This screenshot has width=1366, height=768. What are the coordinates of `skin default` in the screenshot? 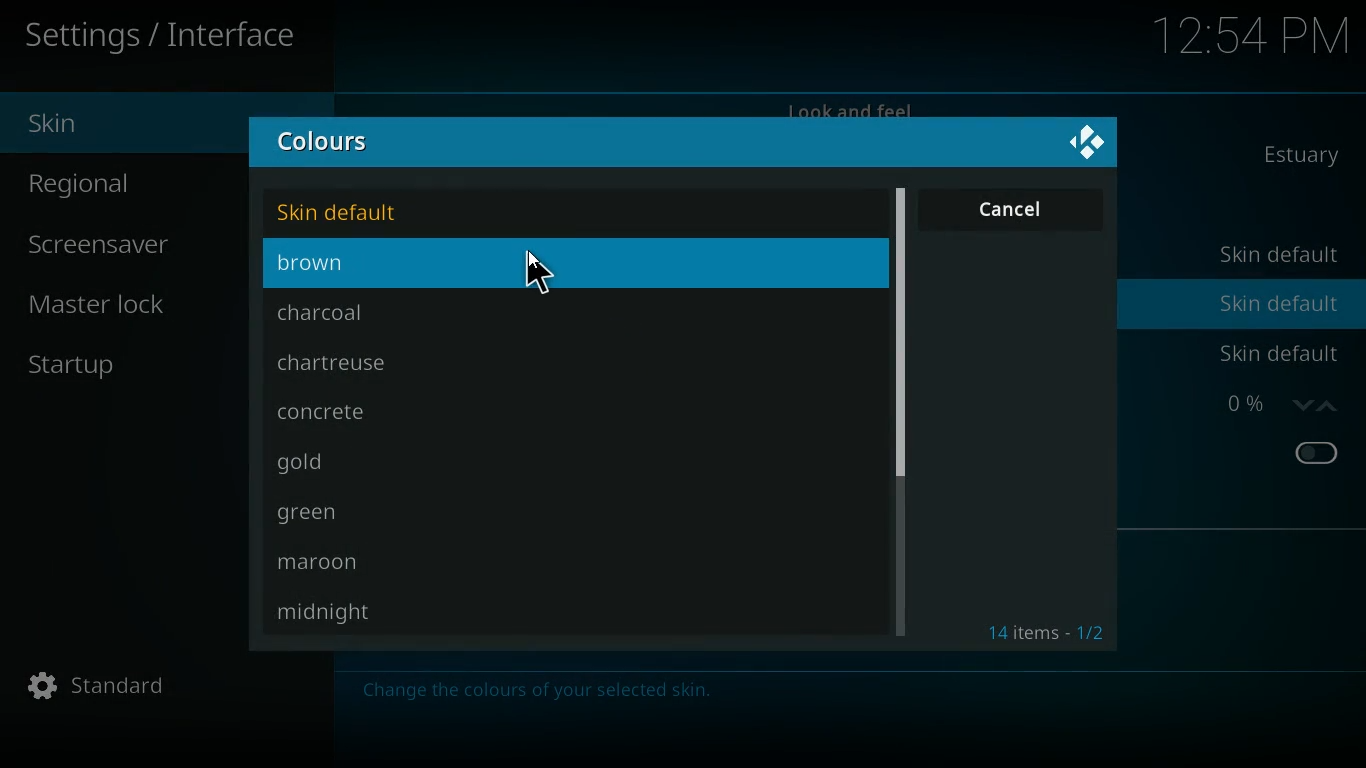 It's located at (367, 210).